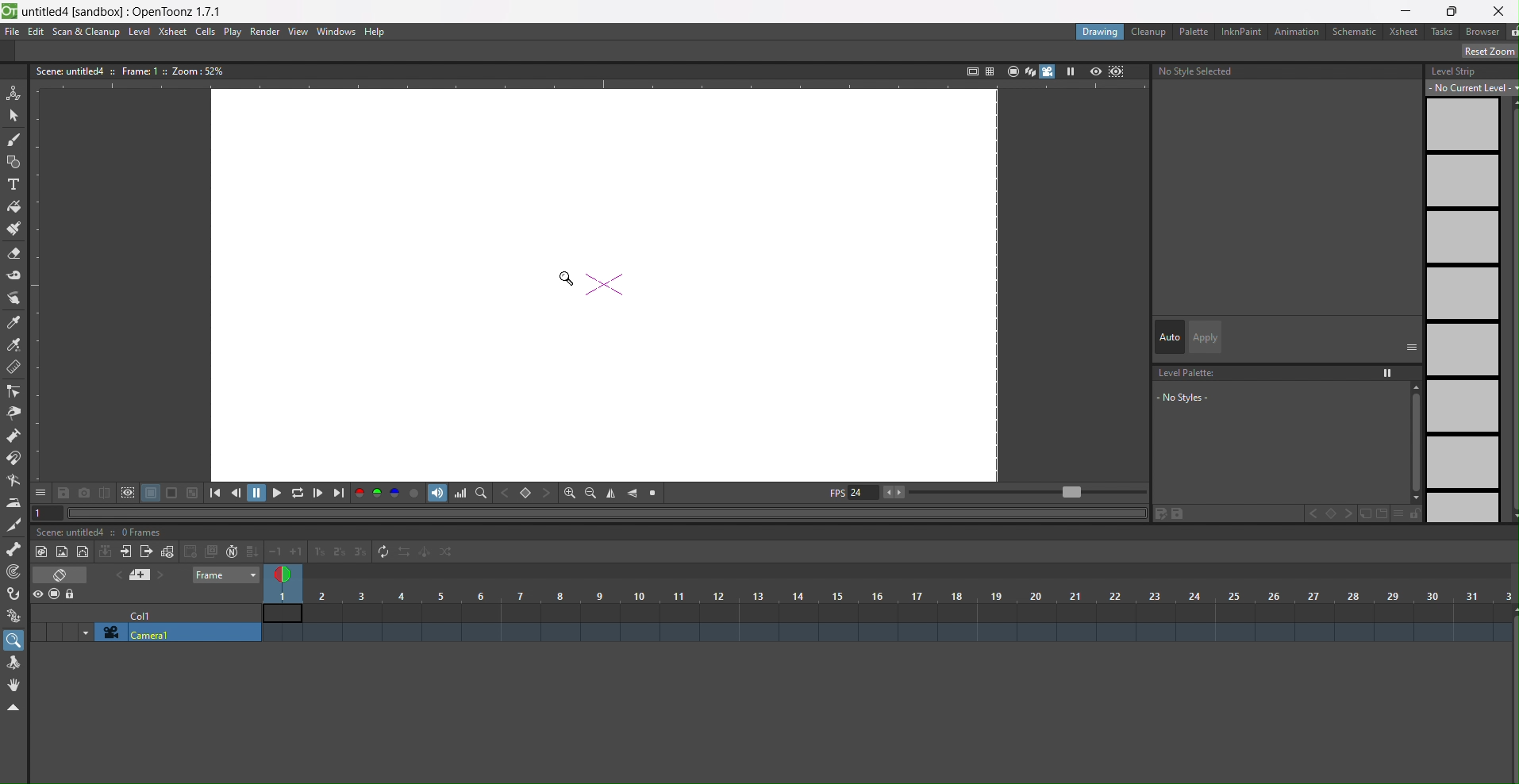 The height and width of the screenshot is (784, 1519). Describe the element at coordinates (46, 594) in the screenshot. I see `` at that location.